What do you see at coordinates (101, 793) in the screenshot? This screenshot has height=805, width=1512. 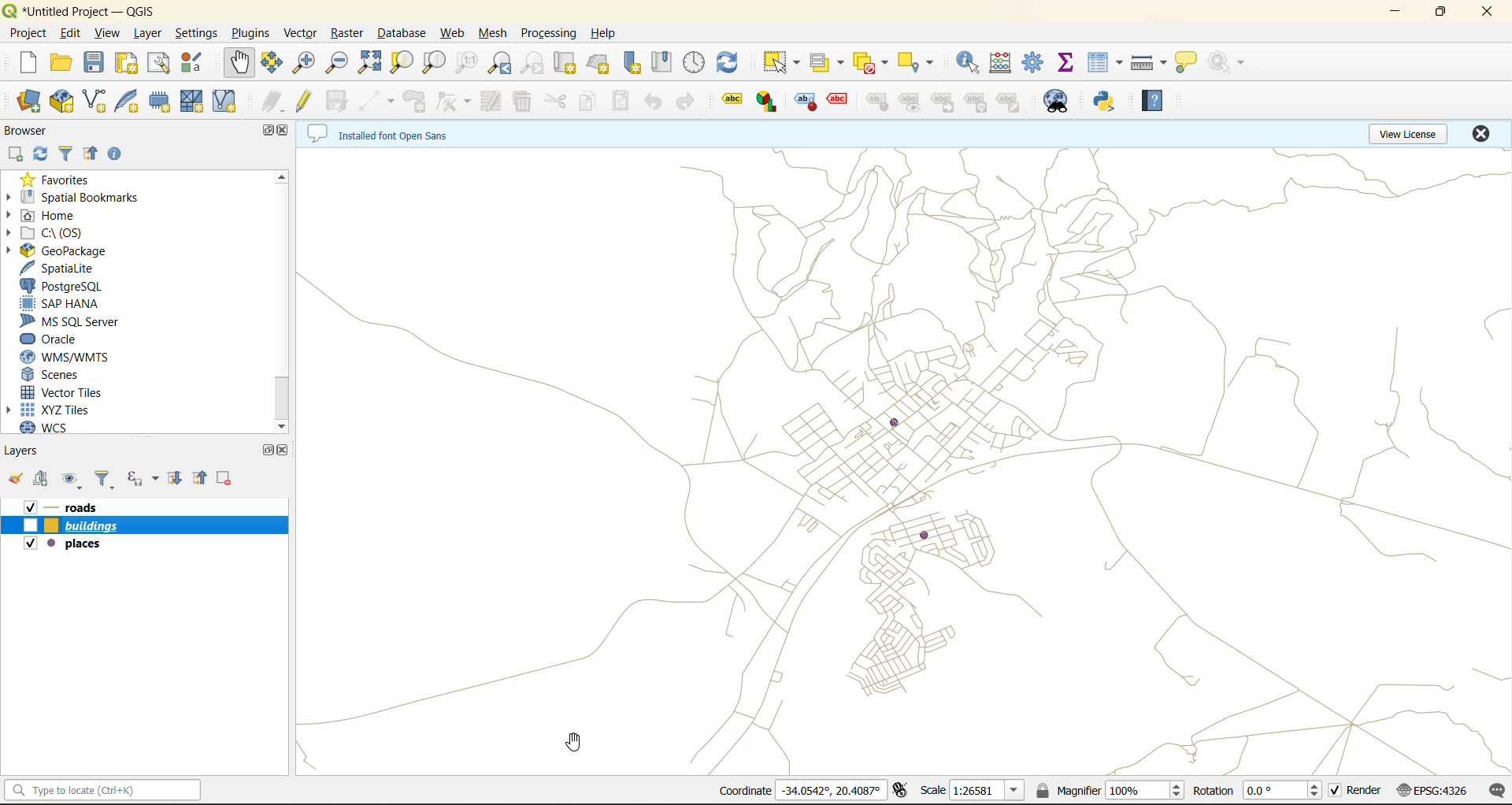 I see `status bar` at bounding box center [101, 793].